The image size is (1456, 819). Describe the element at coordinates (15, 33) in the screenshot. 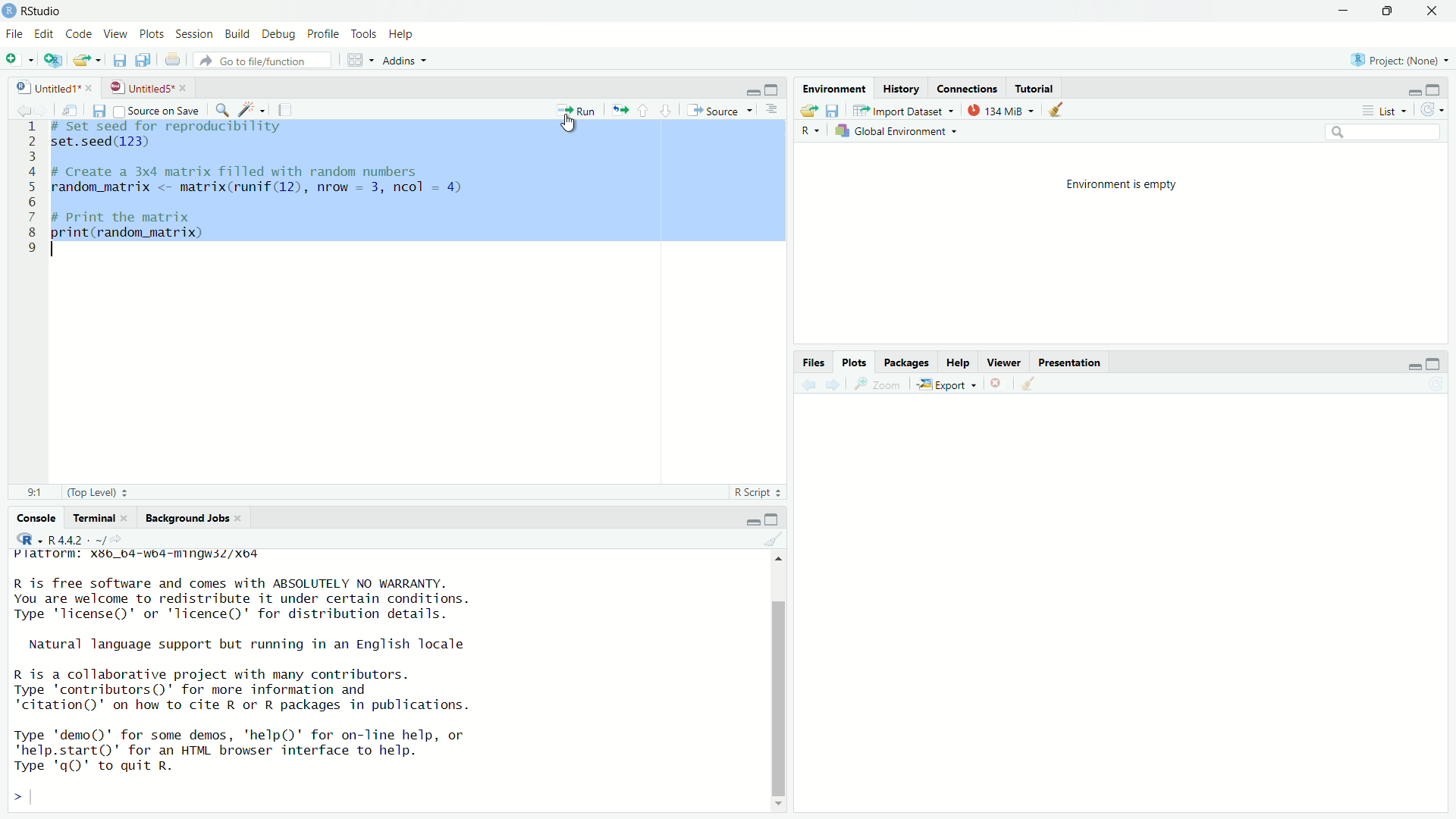

I see `File` at that location.